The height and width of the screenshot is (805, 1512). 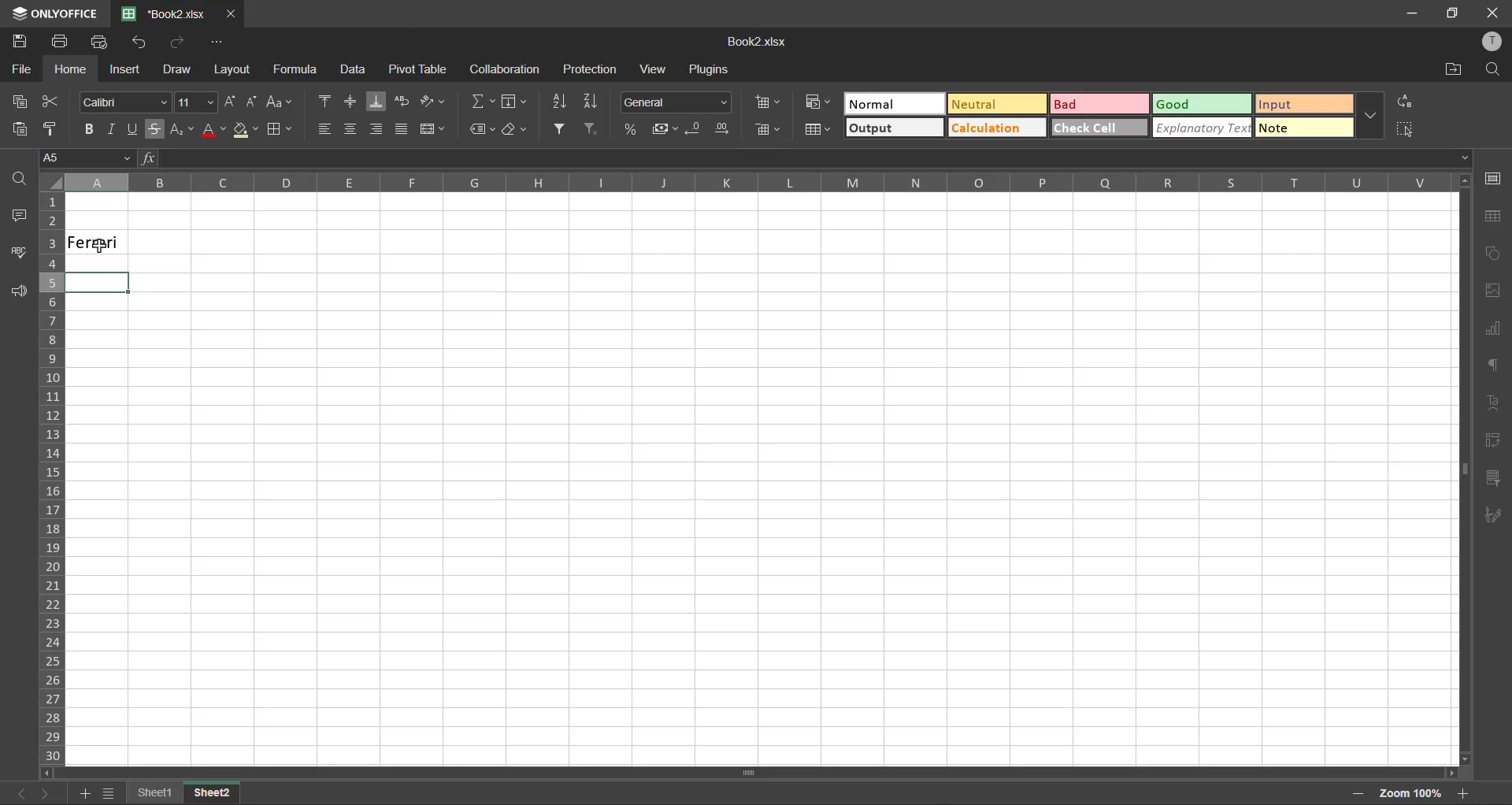 What do you see at coordinates (20, 219) in the screenshot?
I see `comments` at bounding box center [20, 219].